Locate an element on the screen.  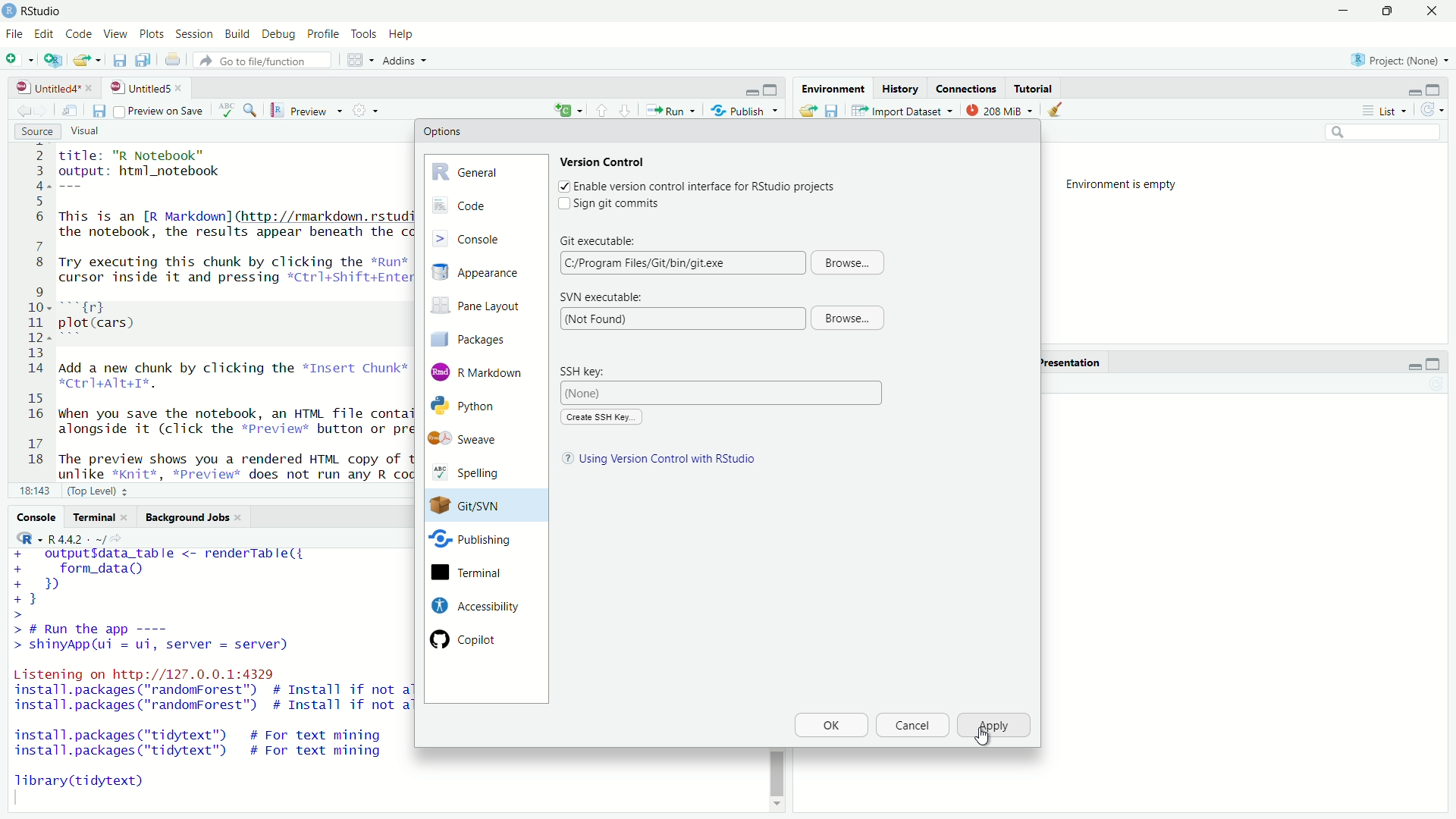
Toys is located at coordinates (363, 35).